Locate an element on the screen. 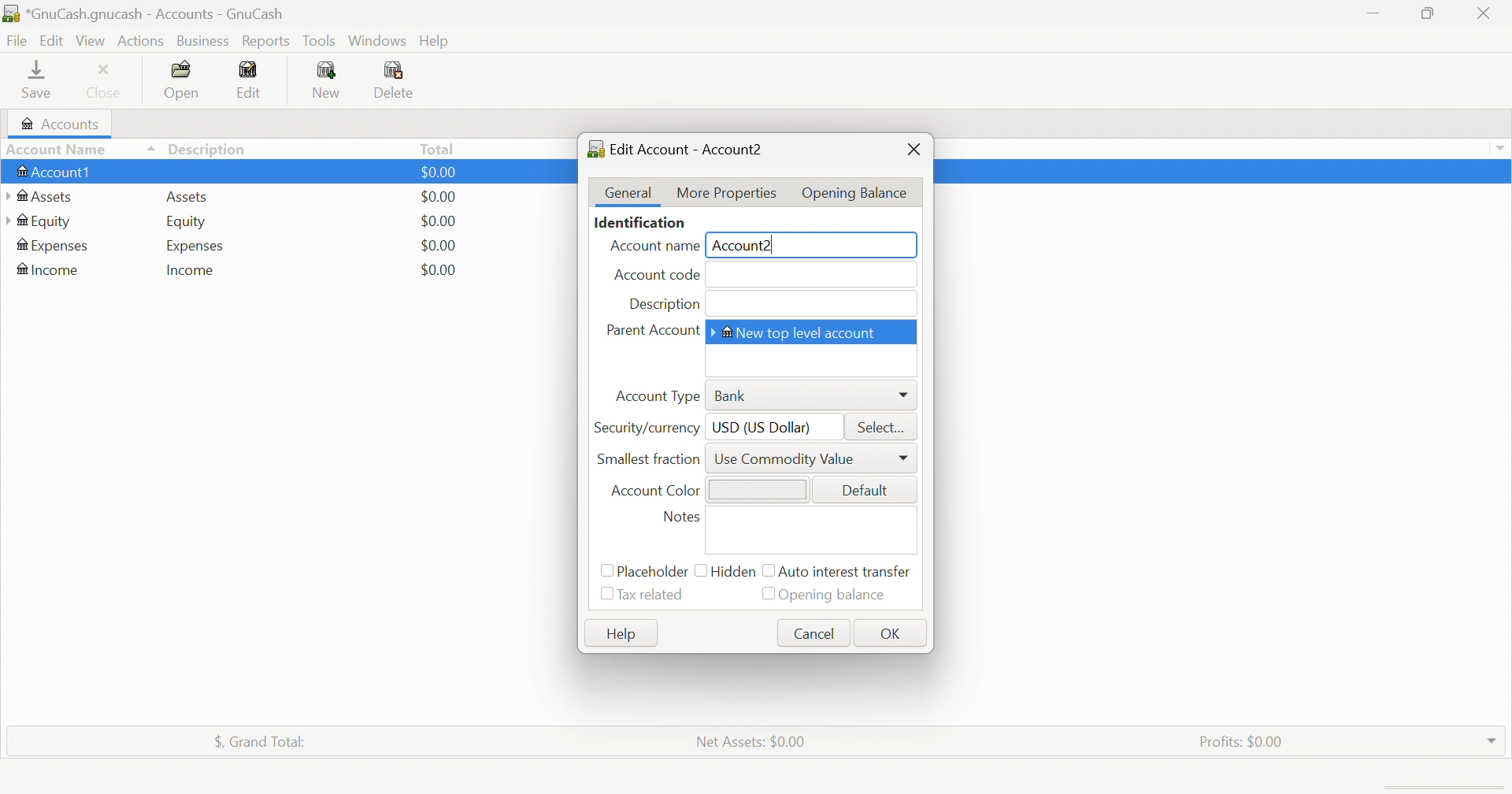 This screenshot has height=794, width=1512. General is located at coordinates (629, 192).